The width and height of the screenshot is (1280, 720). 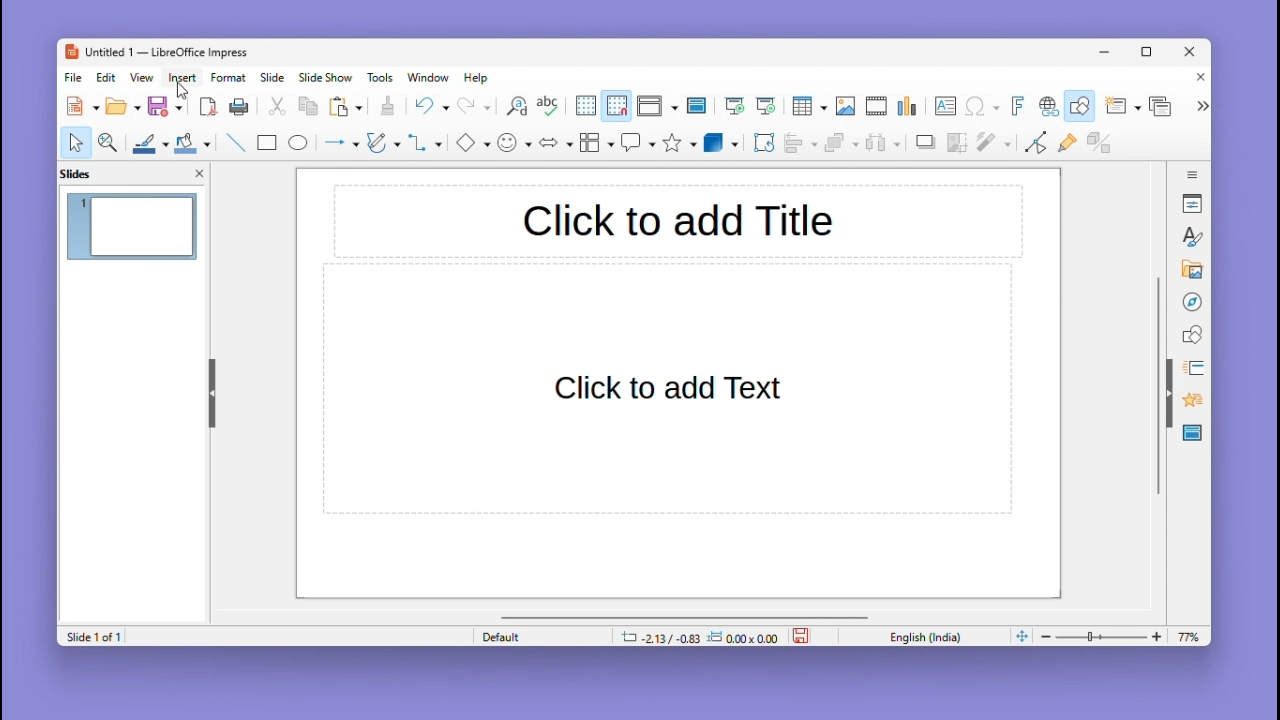 I want to click on find and replace, so click(x=515, y=106).